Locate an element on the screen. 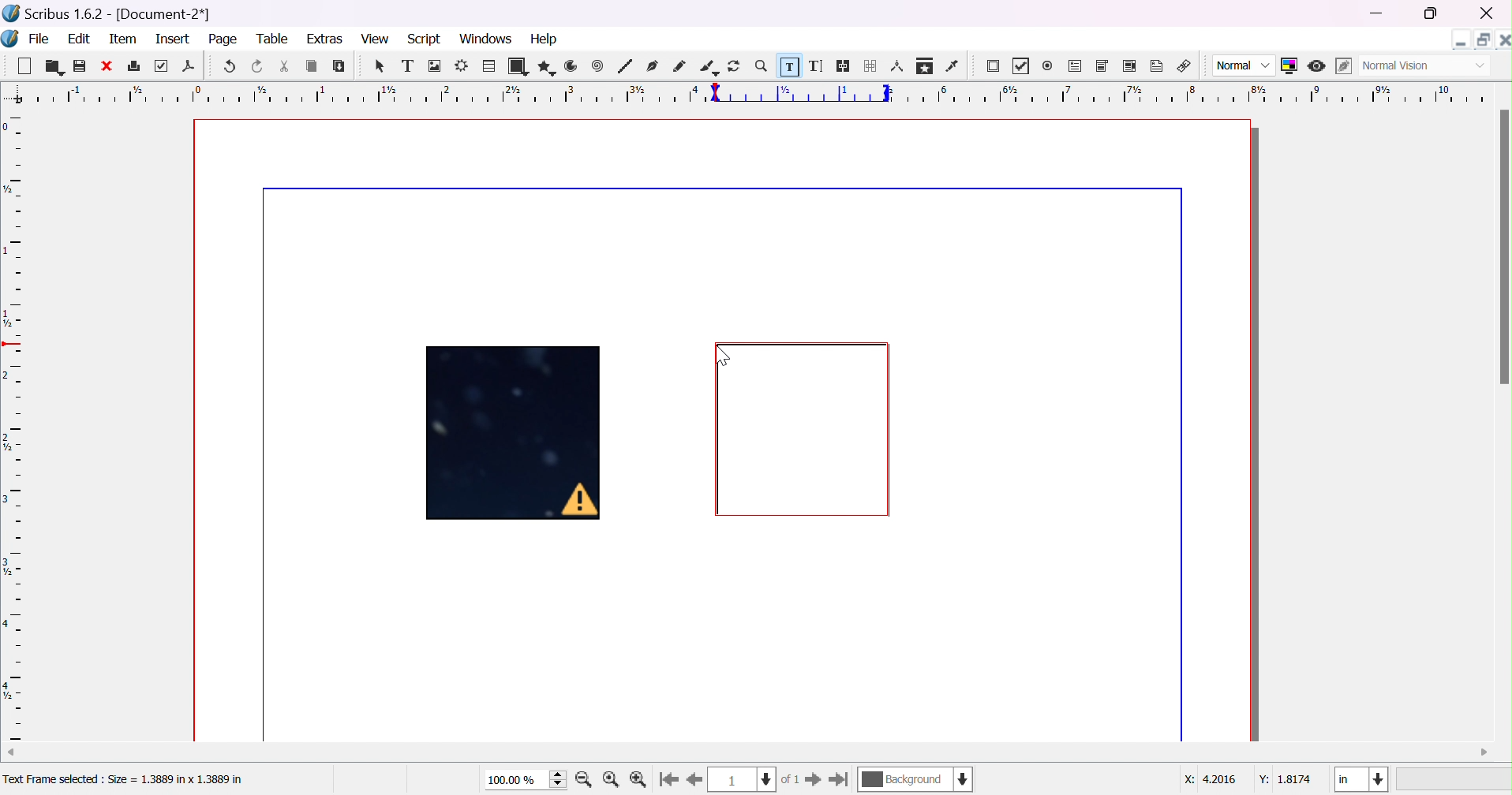 The image size is (1512, 795). link annotation is located at coordinates (1185, 64).